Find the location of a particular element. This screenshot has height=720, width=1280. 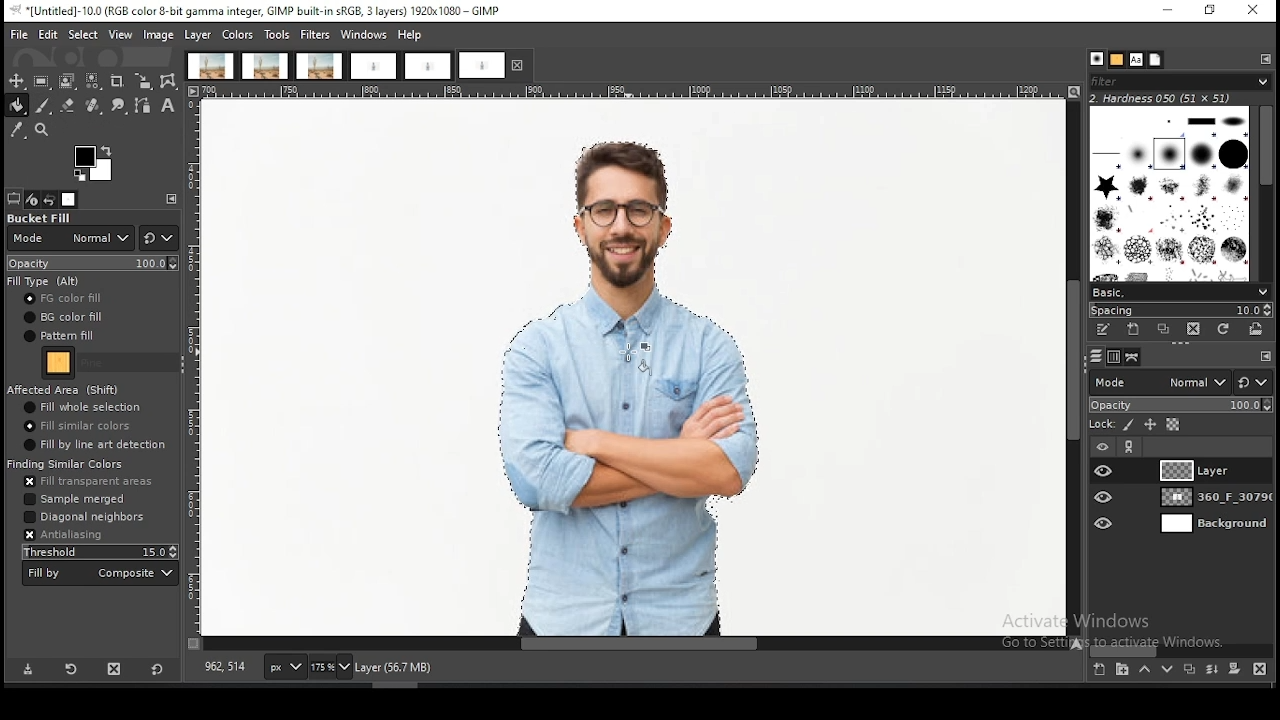

view is located at coordinates (122, 34).